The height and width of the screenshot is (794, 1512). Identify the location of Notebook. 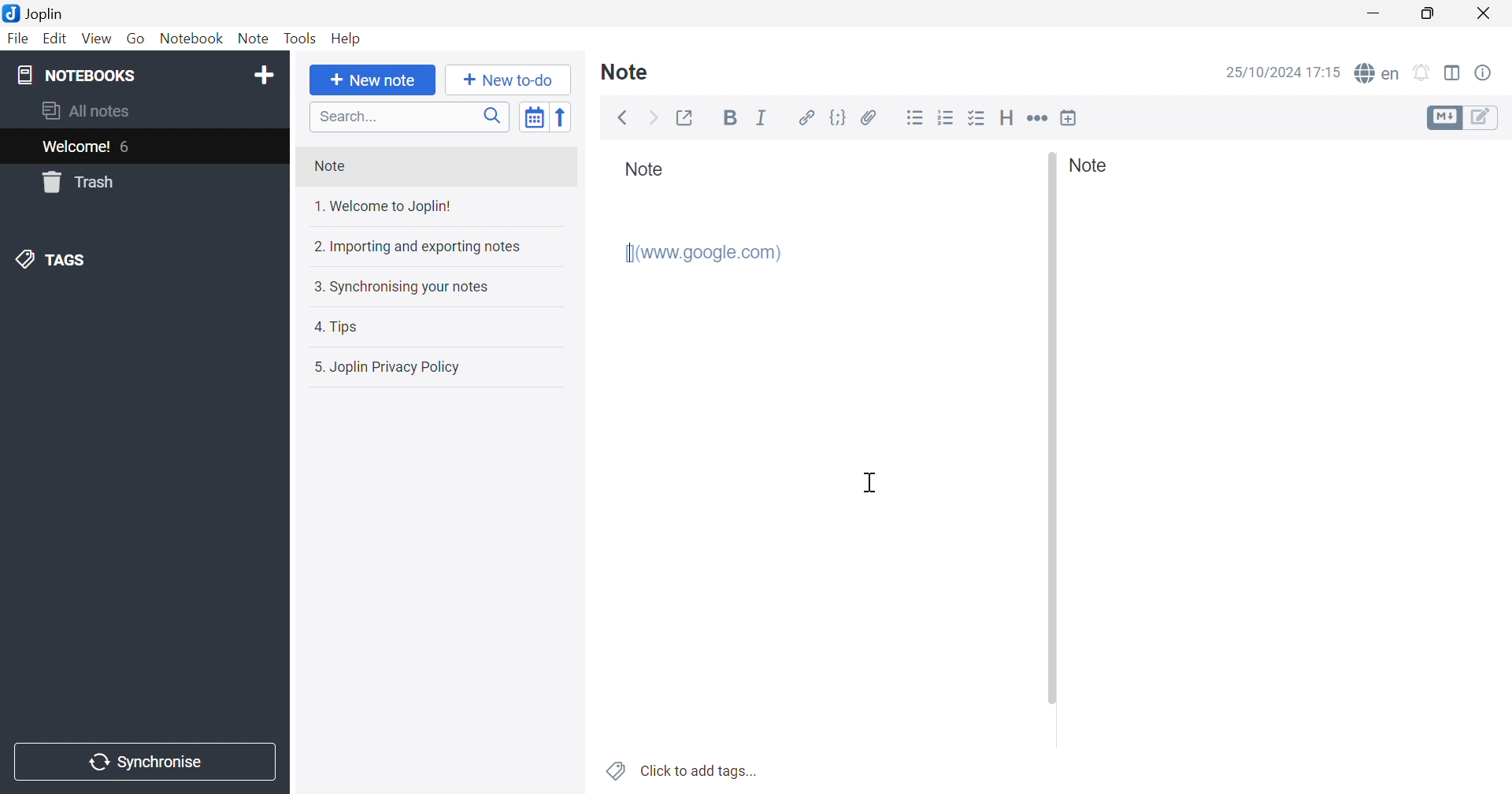
(192, 39).